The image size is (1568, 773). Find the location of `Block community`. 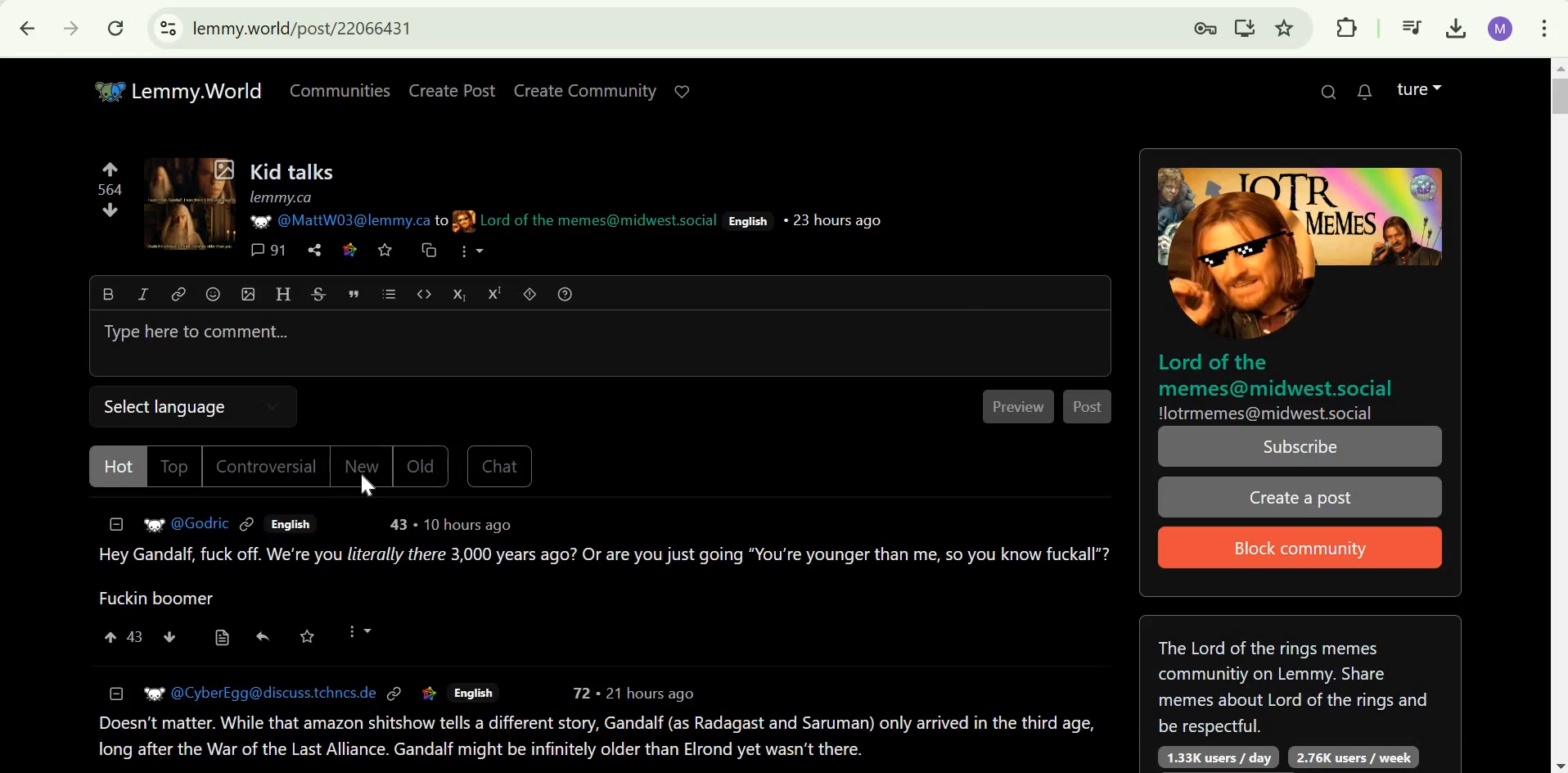

Block community is located at coordinates (1303, 545).